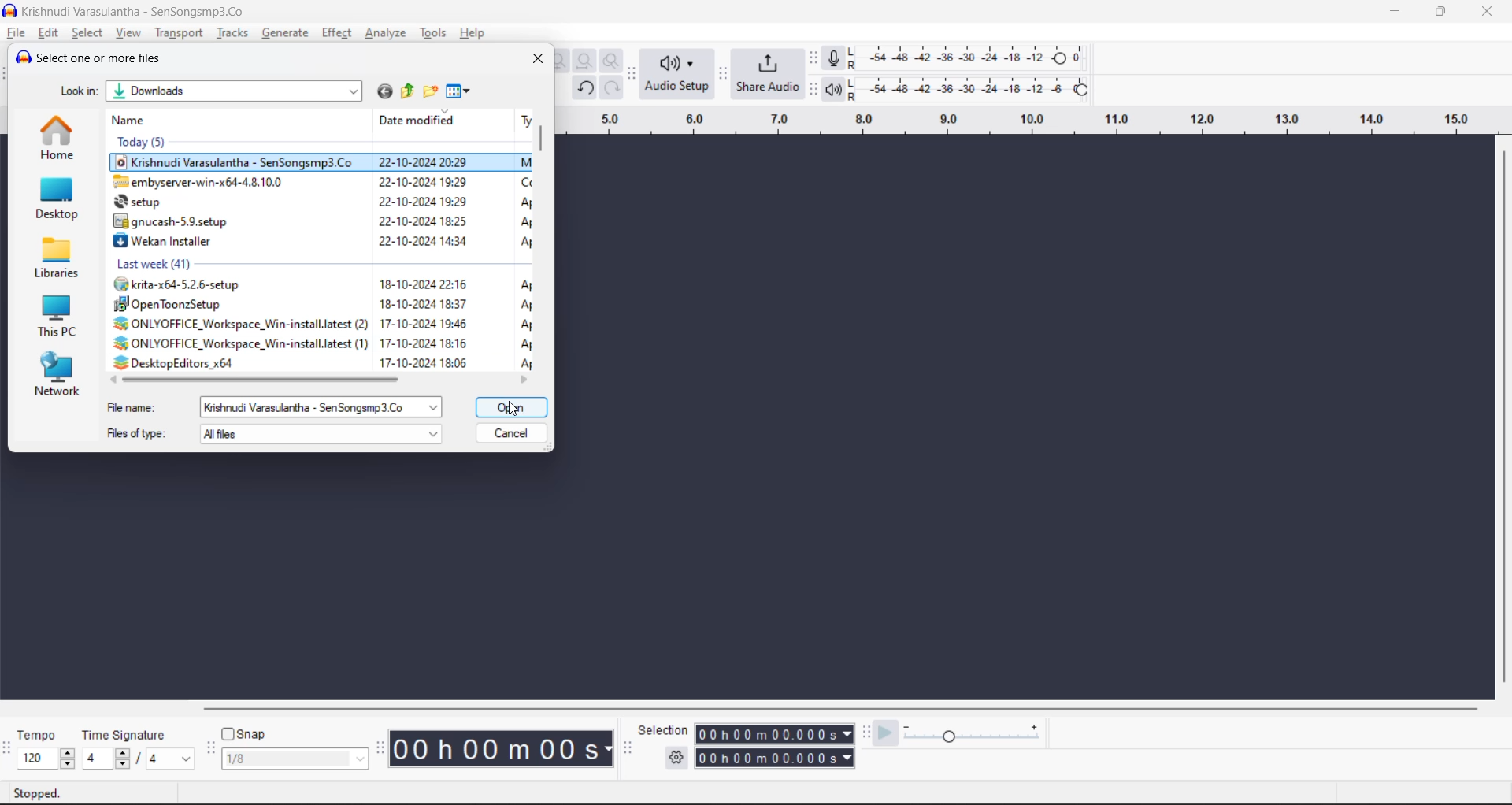 Image resolution: width=1512 pixels, height=805 pixels. Describe the element at coordinates (295, 143) in the screenshot. I see `Today (5)` at that location.